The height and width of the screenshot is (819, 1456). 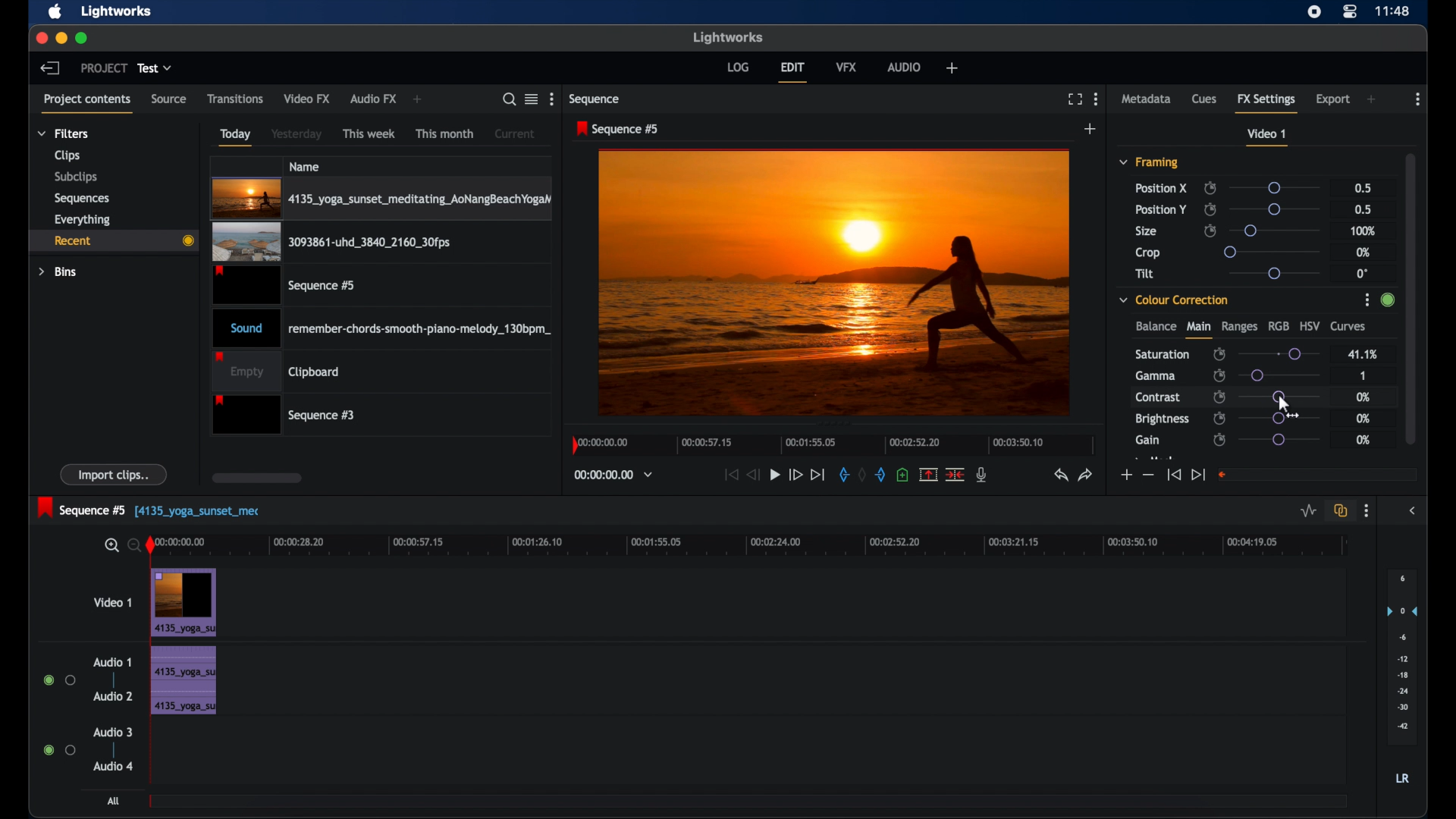 I want to click on audio 4, so click(x=112, y=765).